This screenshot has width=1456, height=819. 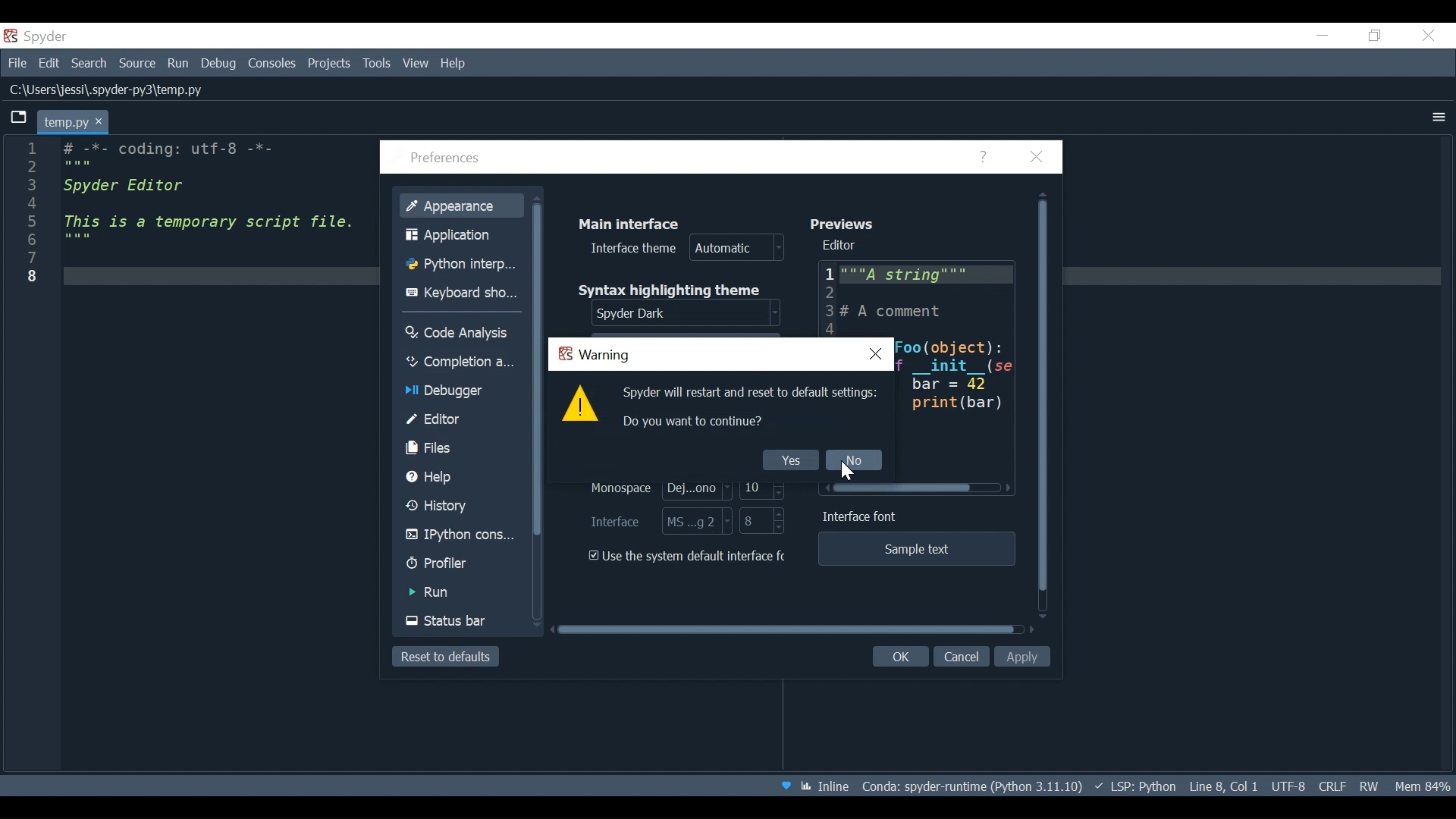 I want to click on Cursor Position, so click(x=1223, y=786).